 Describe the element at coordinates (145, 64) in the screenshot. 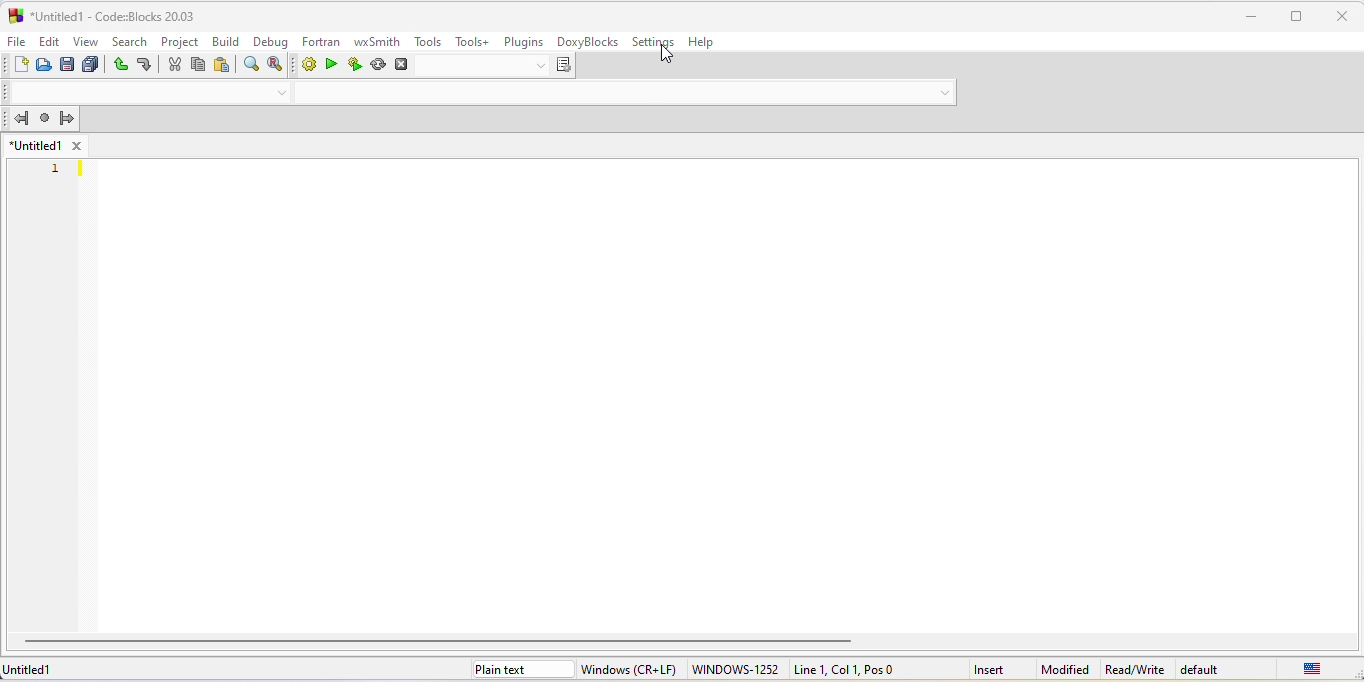

I see `redo` at that location.